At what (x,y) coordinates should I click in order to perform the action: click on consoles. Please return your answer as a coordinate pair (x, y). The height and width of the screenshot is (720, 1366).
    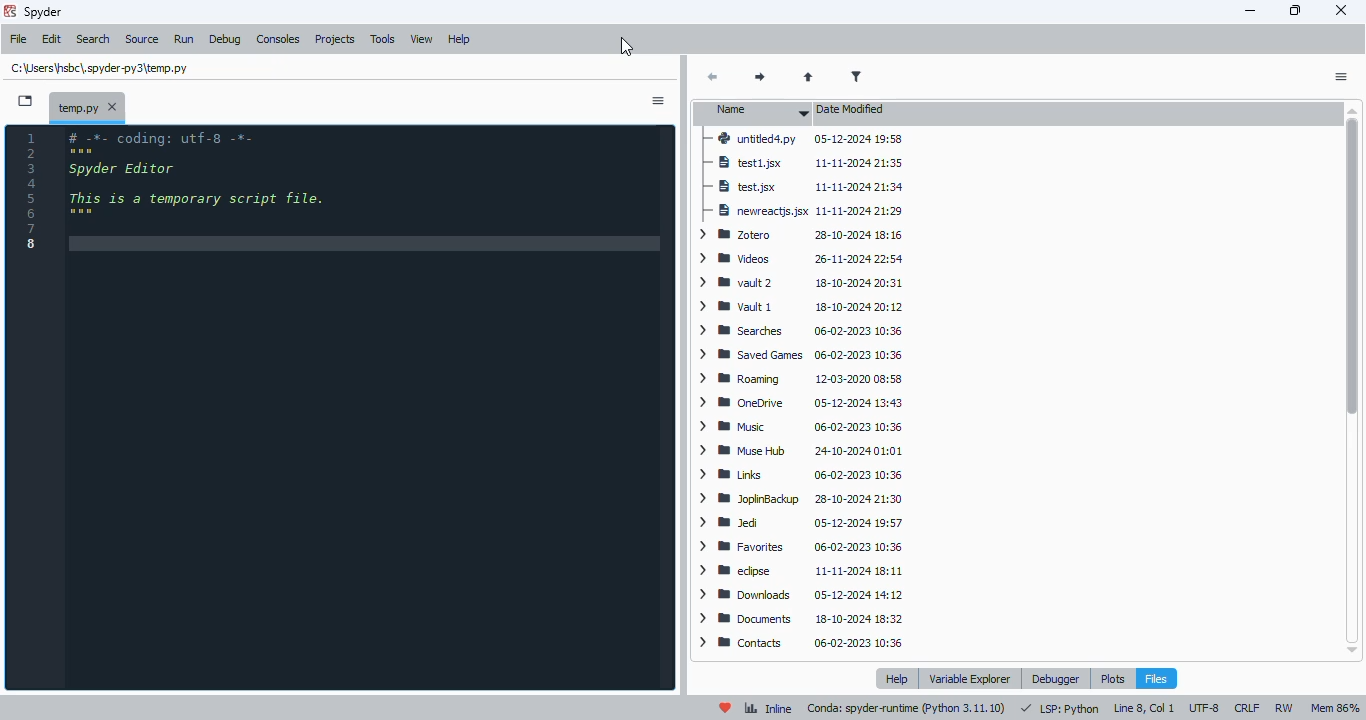
    Looking at the image, I should click on (279, 39).